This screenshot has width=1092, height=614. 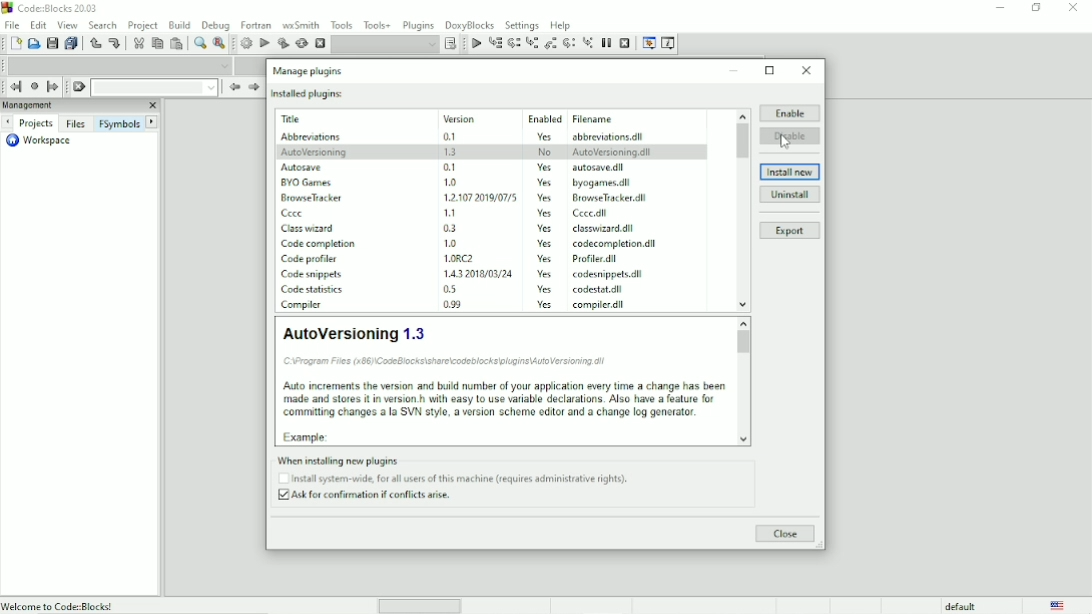 I want to click on Next, so click(x=253, y=87).